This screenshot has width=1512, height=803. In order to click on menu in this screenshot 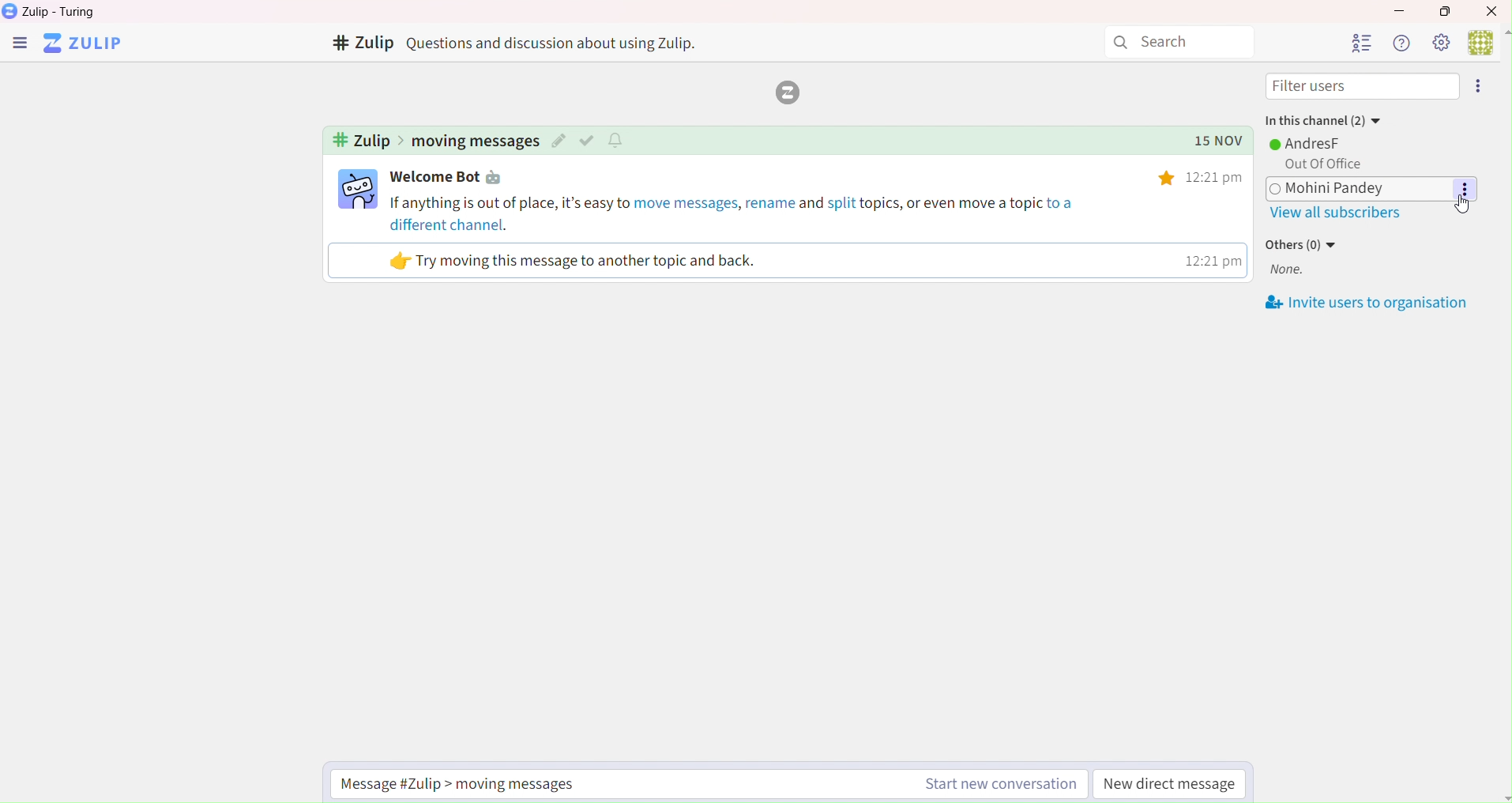, I will do `click(1481, 86)`.